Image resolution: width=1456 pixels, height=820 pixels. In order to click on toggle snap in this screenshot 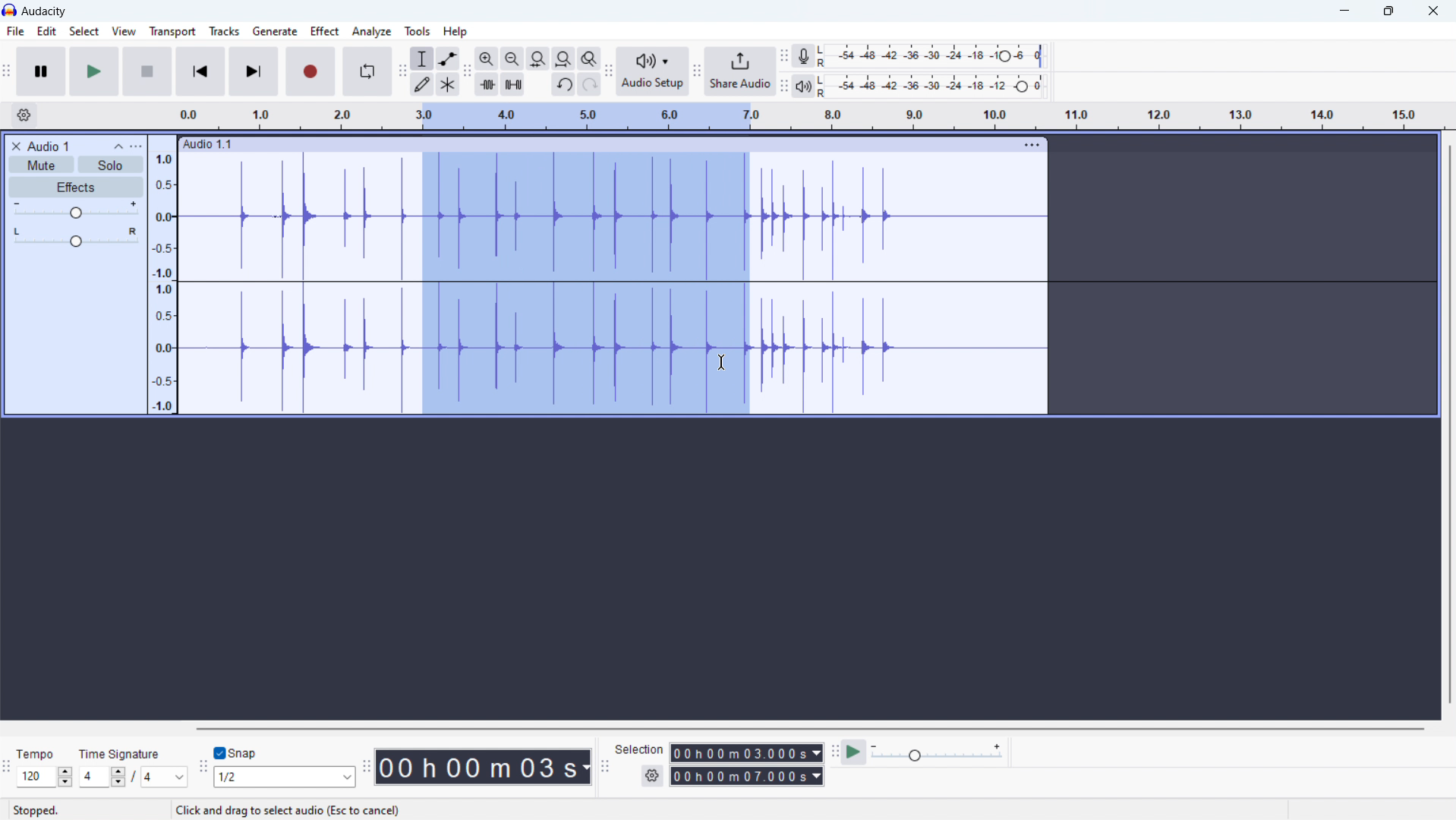, I will do `click(235, 752)`.